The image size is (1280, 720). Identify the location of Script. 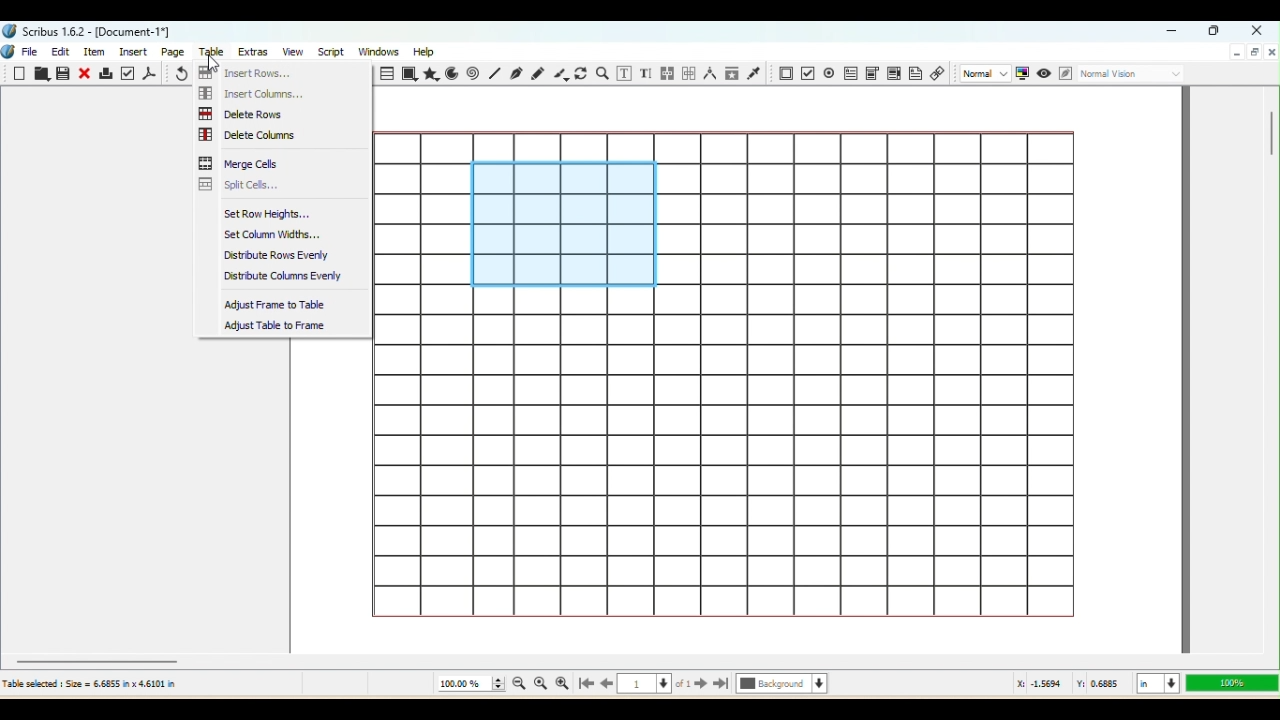
(330, 52).